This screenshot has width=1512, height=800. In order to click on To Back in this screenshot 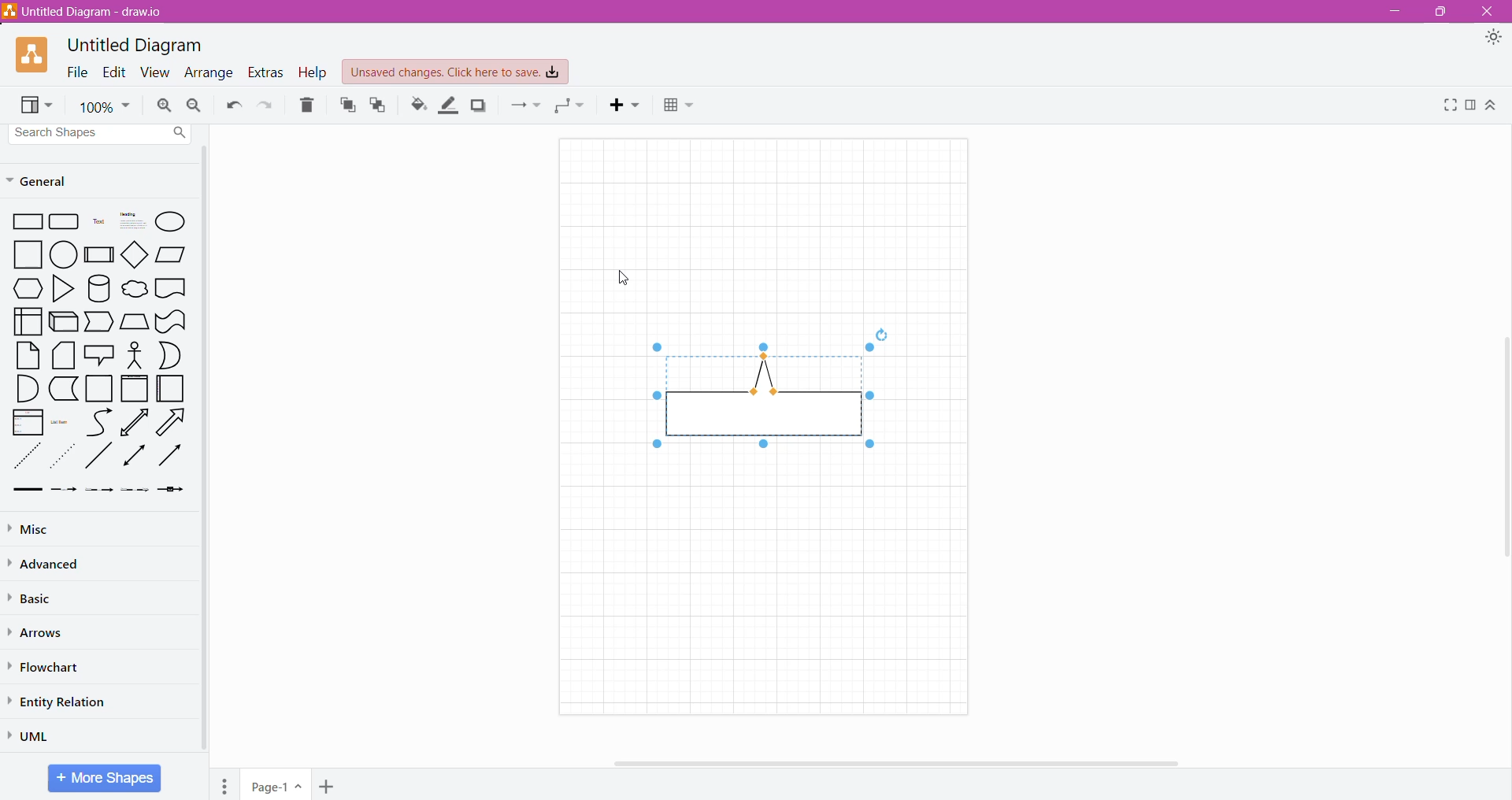, I will do `click(380, 106)`.